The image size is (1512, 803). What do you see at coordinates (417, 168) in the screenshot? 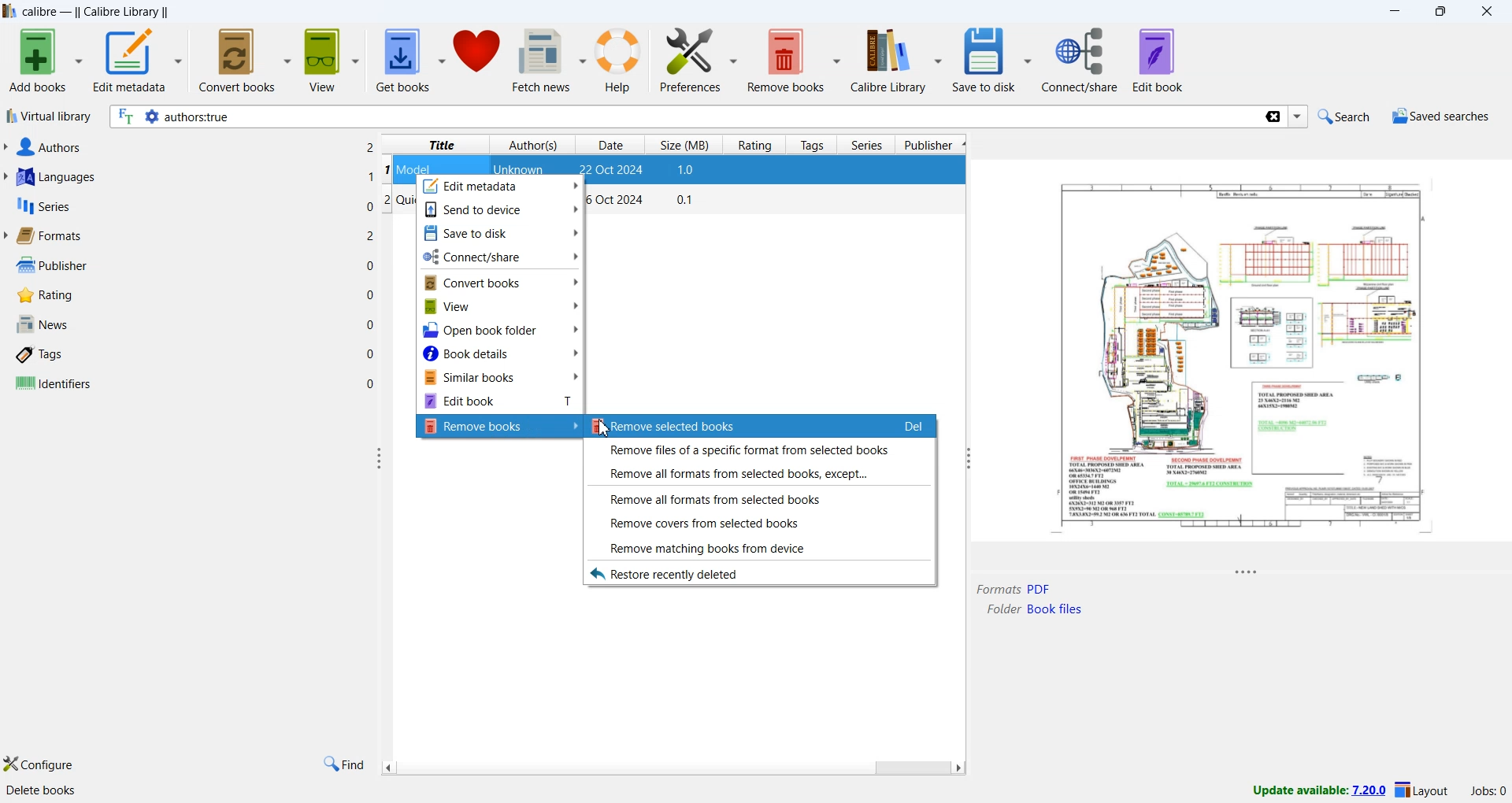
I see `model` at bounding box center [417, 168].